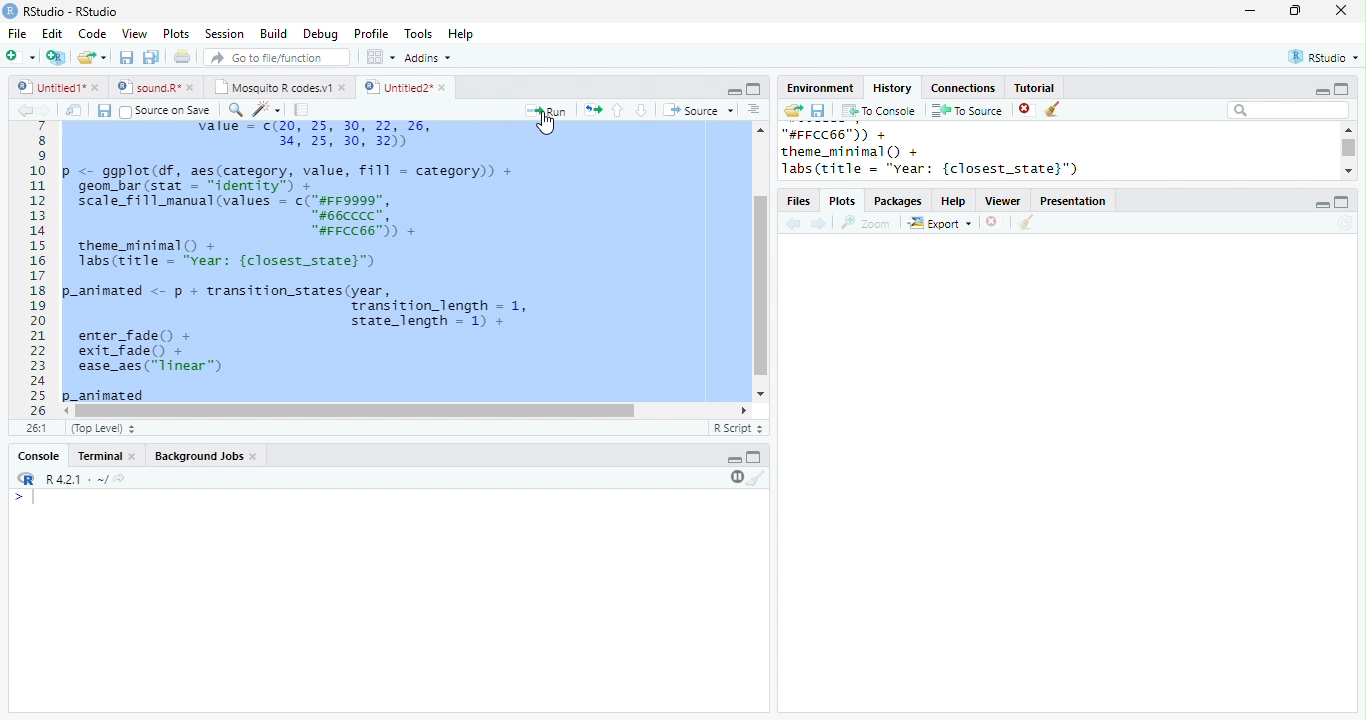 This screenshot has width=1366, height=720. Describe the element at coordinates (967, 110) in the screenshot. I see `To Source` at that location.